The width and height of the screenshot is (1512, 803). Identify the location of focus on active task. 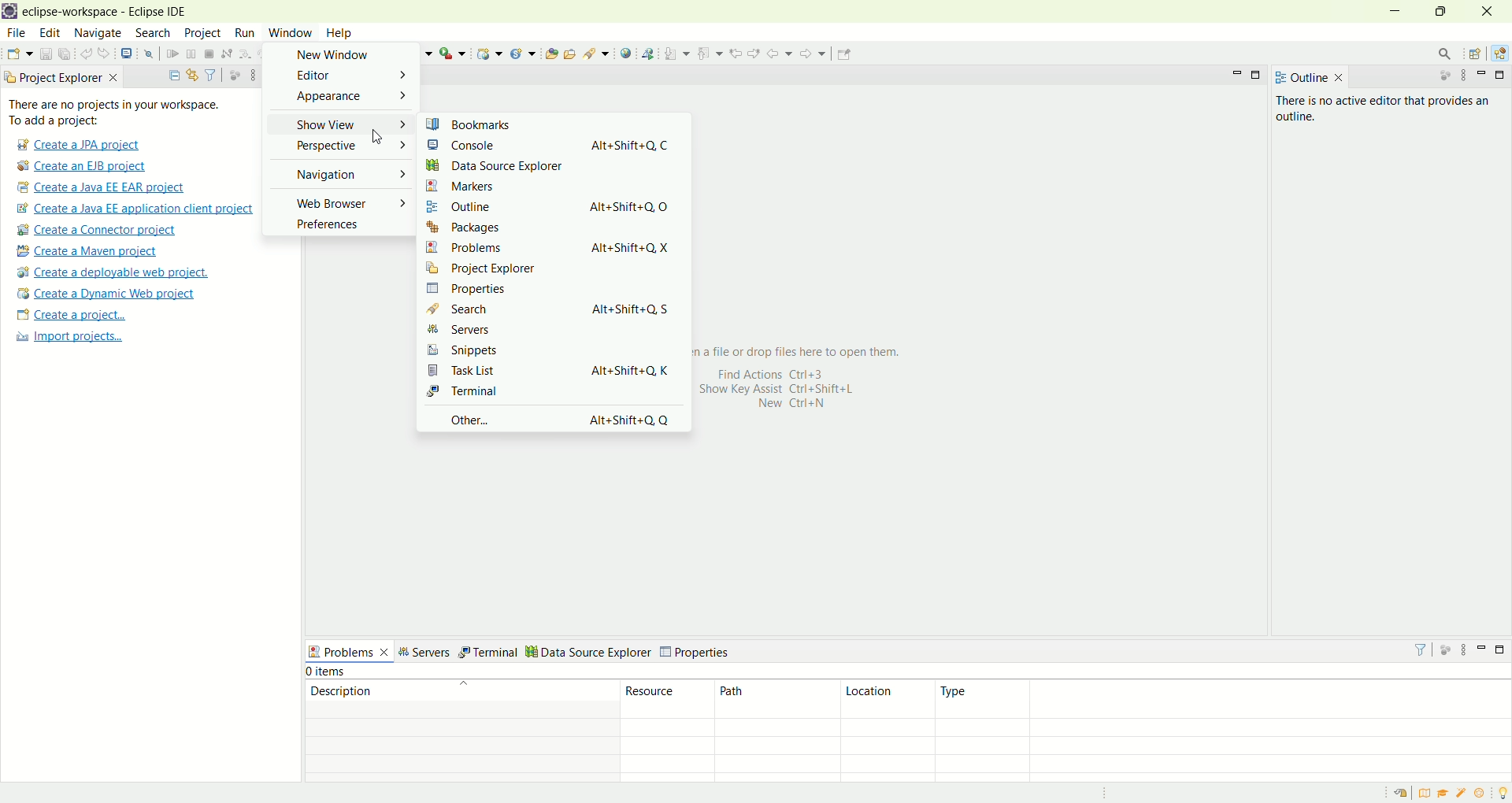
(1447, 76).